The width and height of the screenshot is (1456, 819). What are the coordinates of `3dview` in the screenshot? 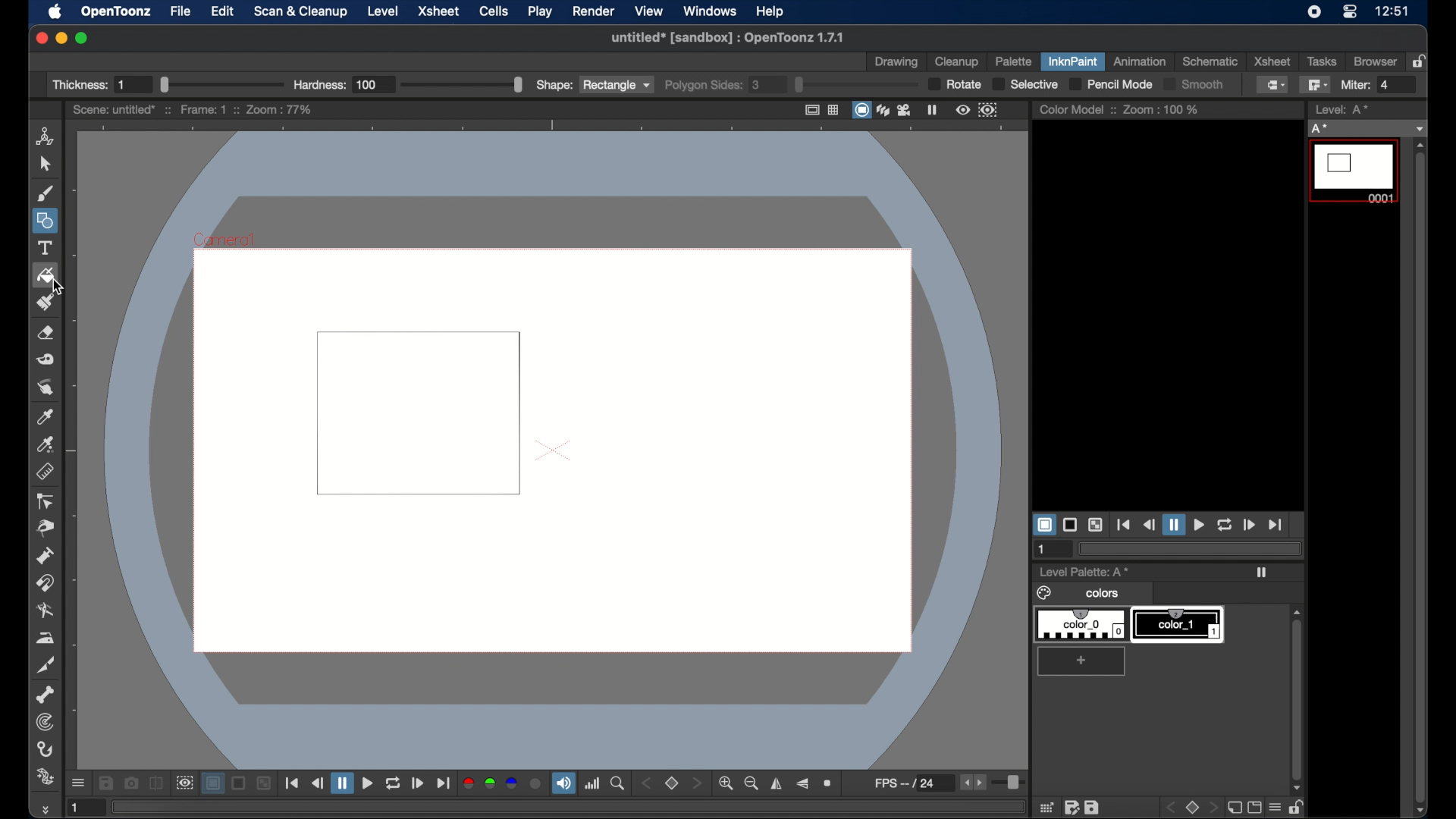 It's located at (884, 111).